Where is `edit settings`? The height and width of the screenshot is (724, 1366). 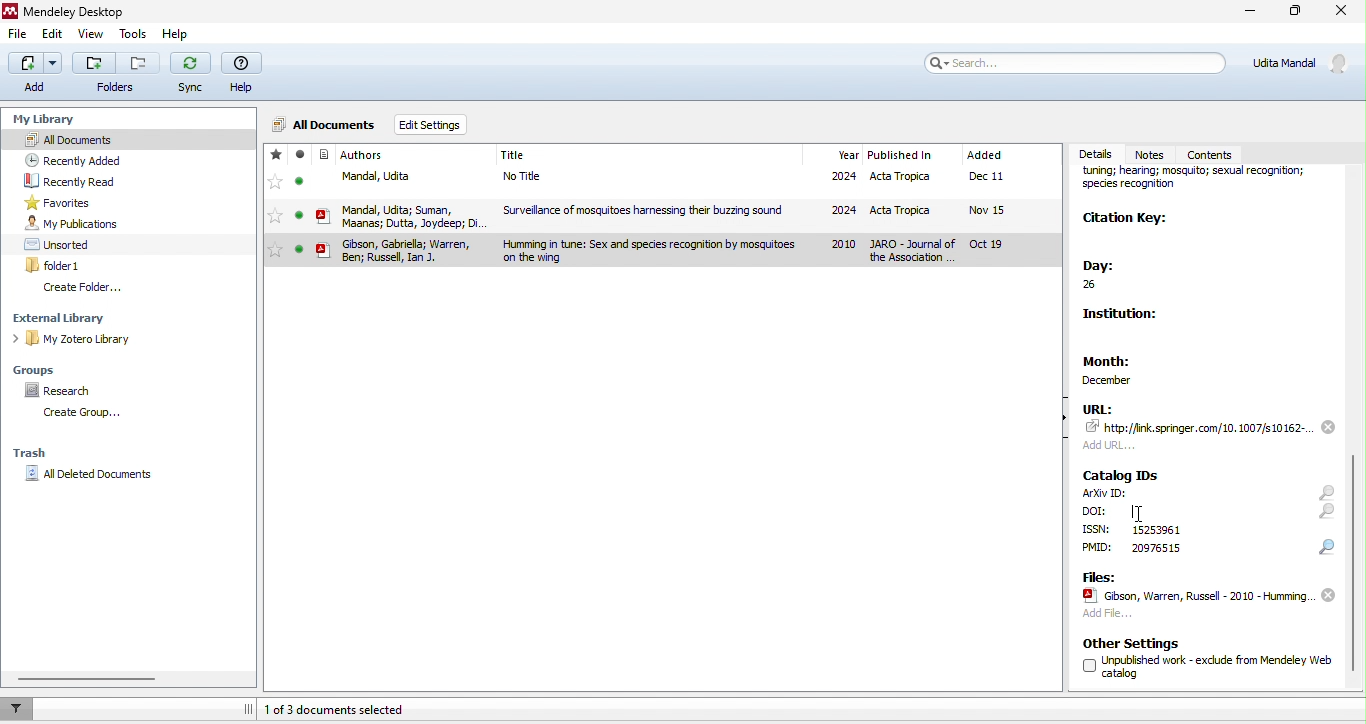
edit settings is located at coordinates (430, 123).